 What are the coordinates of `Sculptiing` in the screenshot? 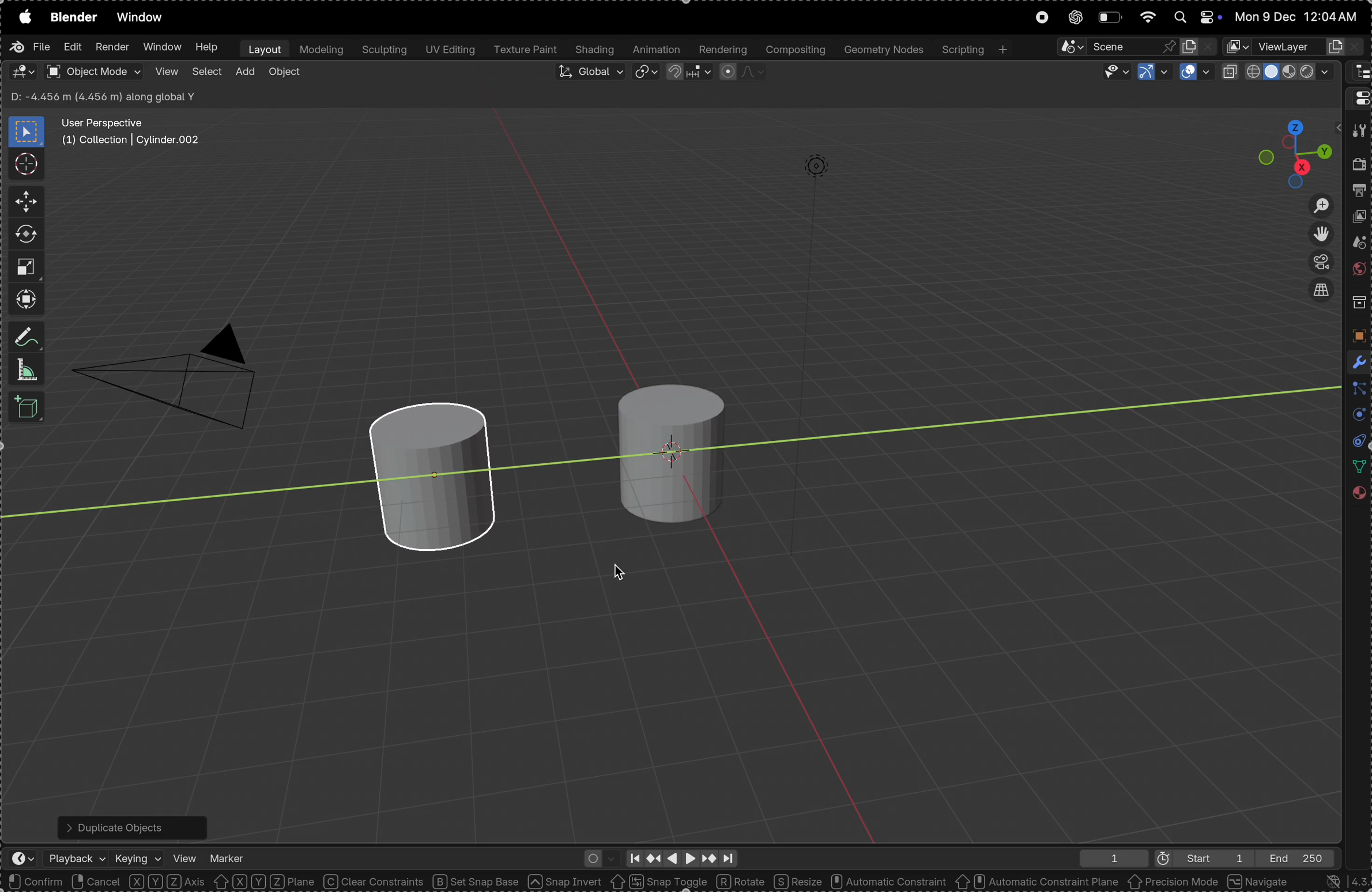 It's located at (383, 50).